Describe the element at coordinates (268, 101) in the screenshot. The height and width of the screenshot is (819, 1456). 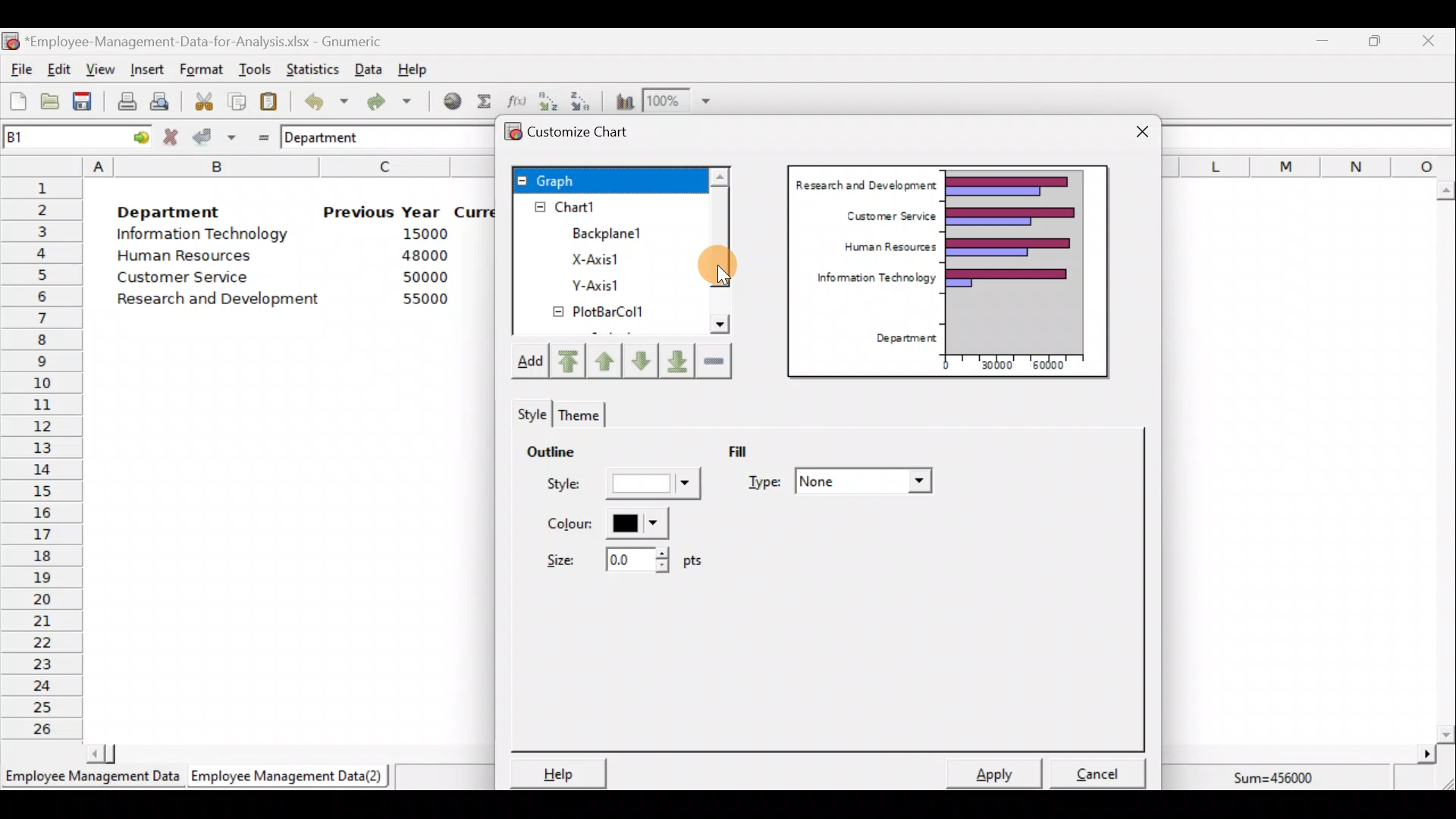
I see `Paste the clipboard` at that location.